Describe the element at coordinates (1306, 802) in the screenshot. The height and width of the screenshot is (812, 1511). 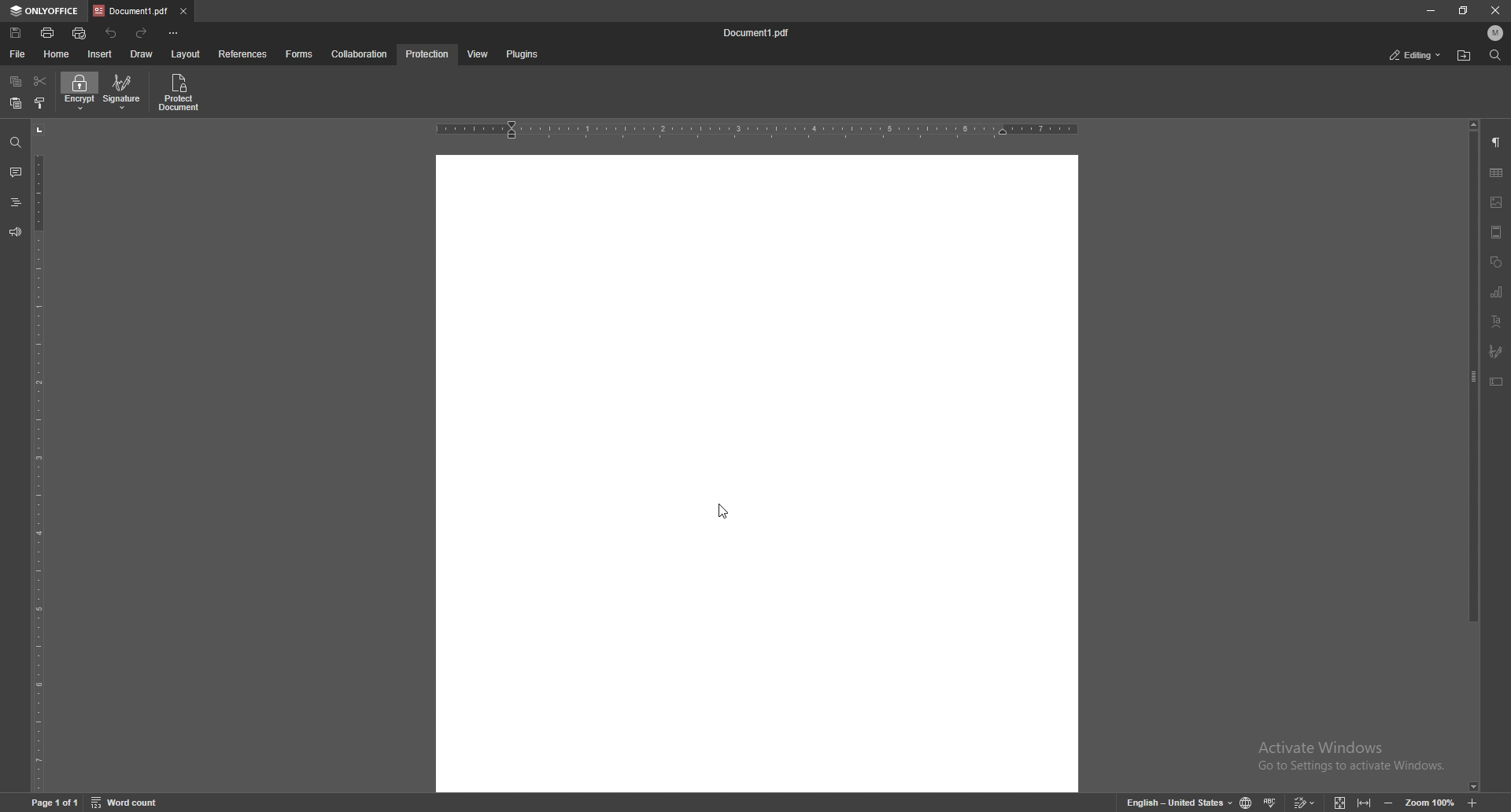
I see `track change` at that location.